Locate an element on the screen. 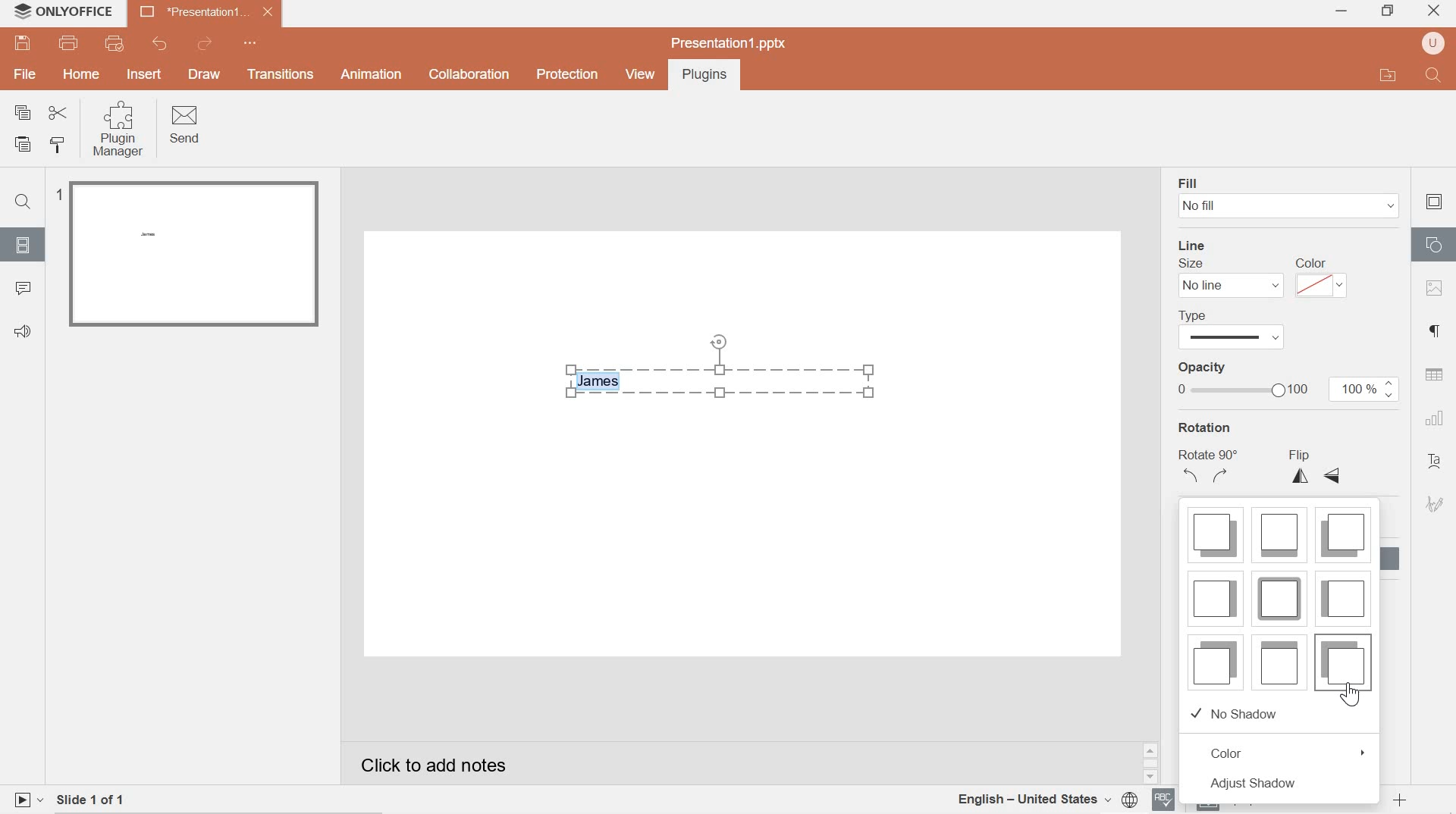 This screenshot has width=1456, height=814. restore down is located at coordinates (1387, 9).